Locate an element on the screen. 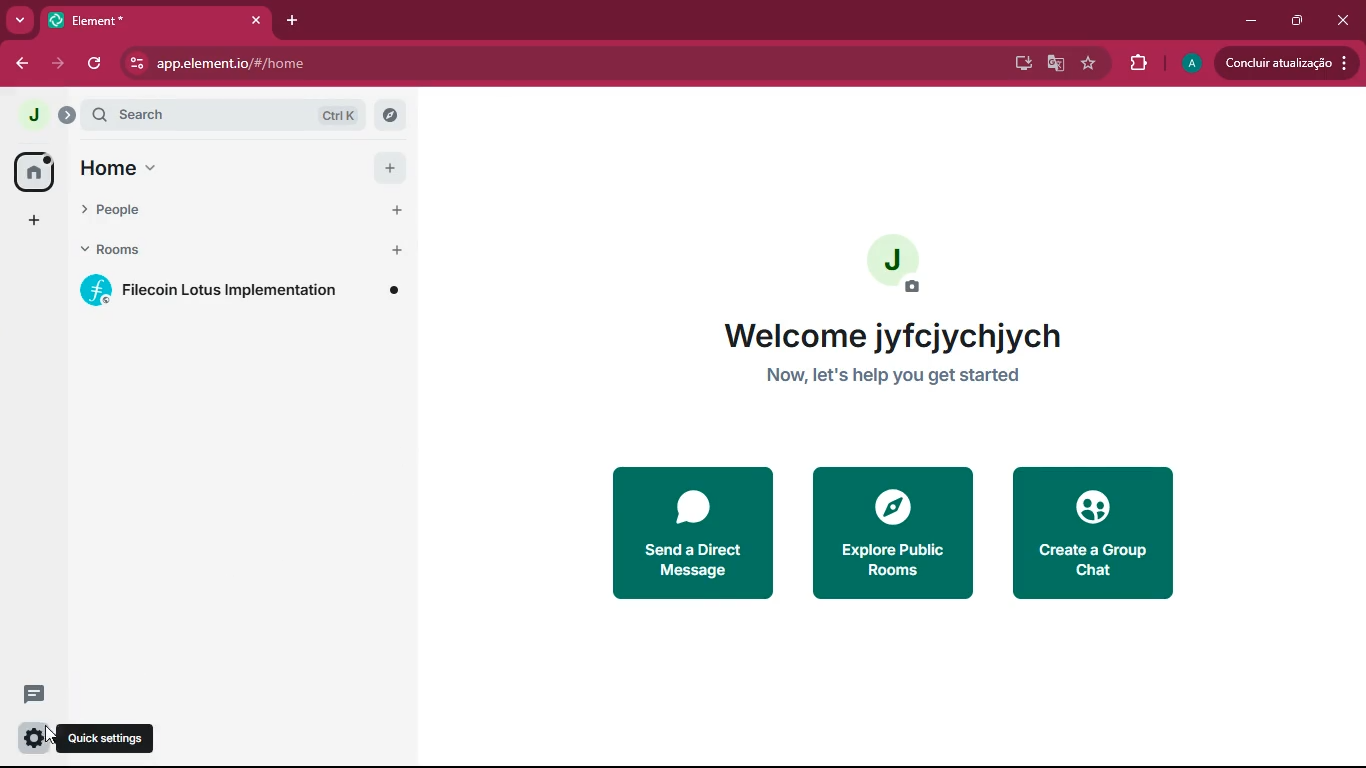 Image resolution: width=1366 pixels, height=768 pixels. profile is located at coordinates (34, 115).